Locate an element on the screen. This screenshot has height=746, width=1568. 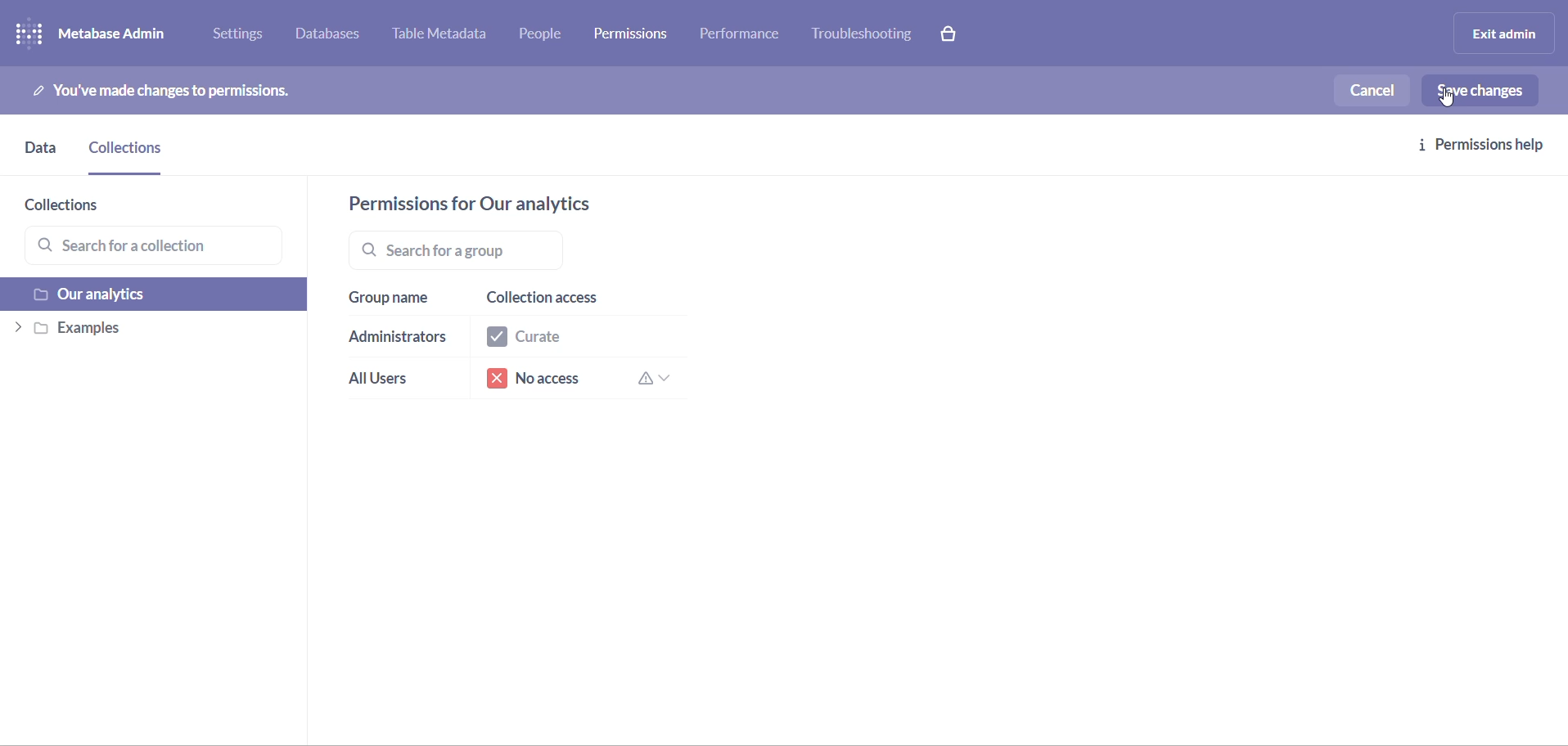
access level is located at coordinates (581, 332).